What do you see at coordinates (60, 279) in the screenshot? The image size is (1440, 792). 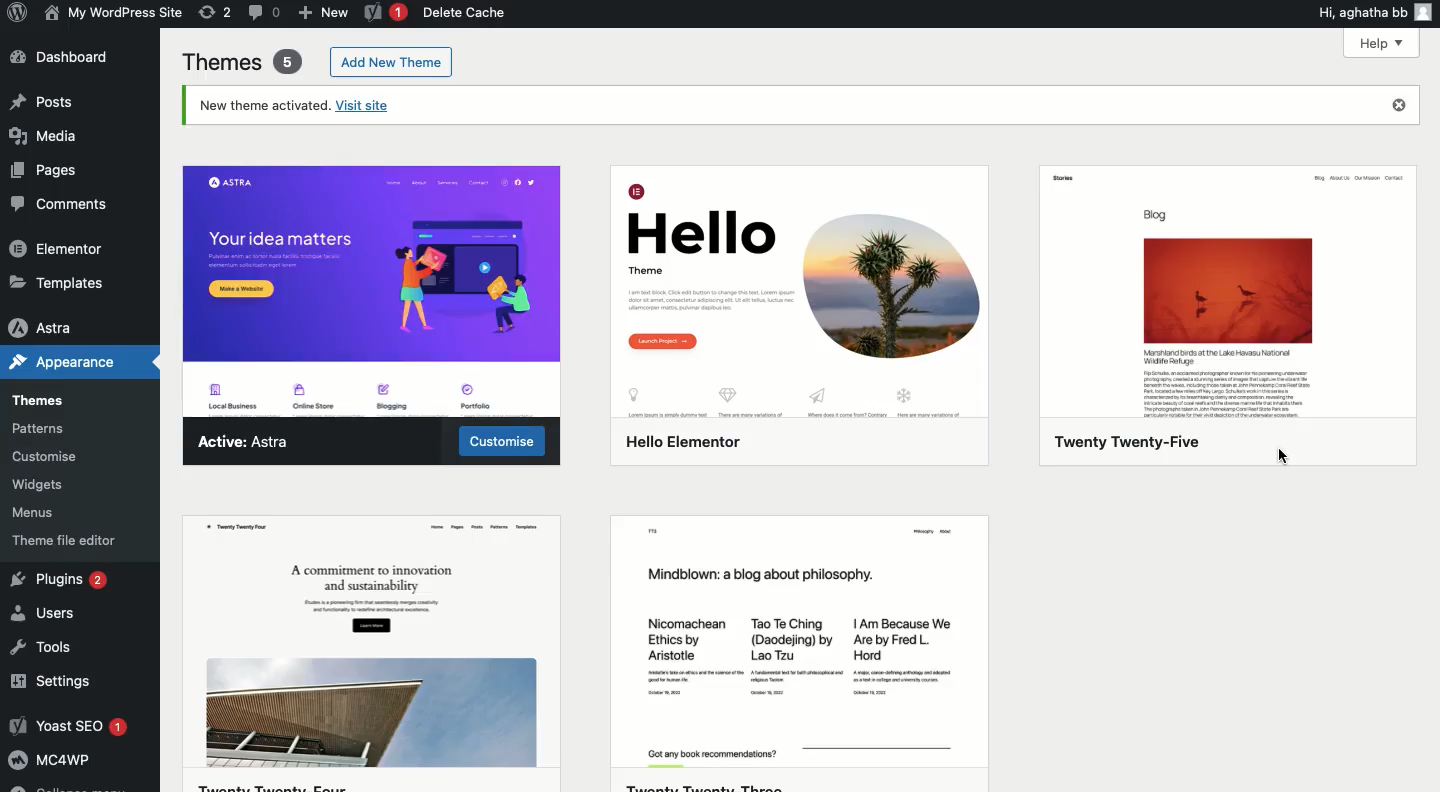 I see `Templates` at bounding box center [60, 279].